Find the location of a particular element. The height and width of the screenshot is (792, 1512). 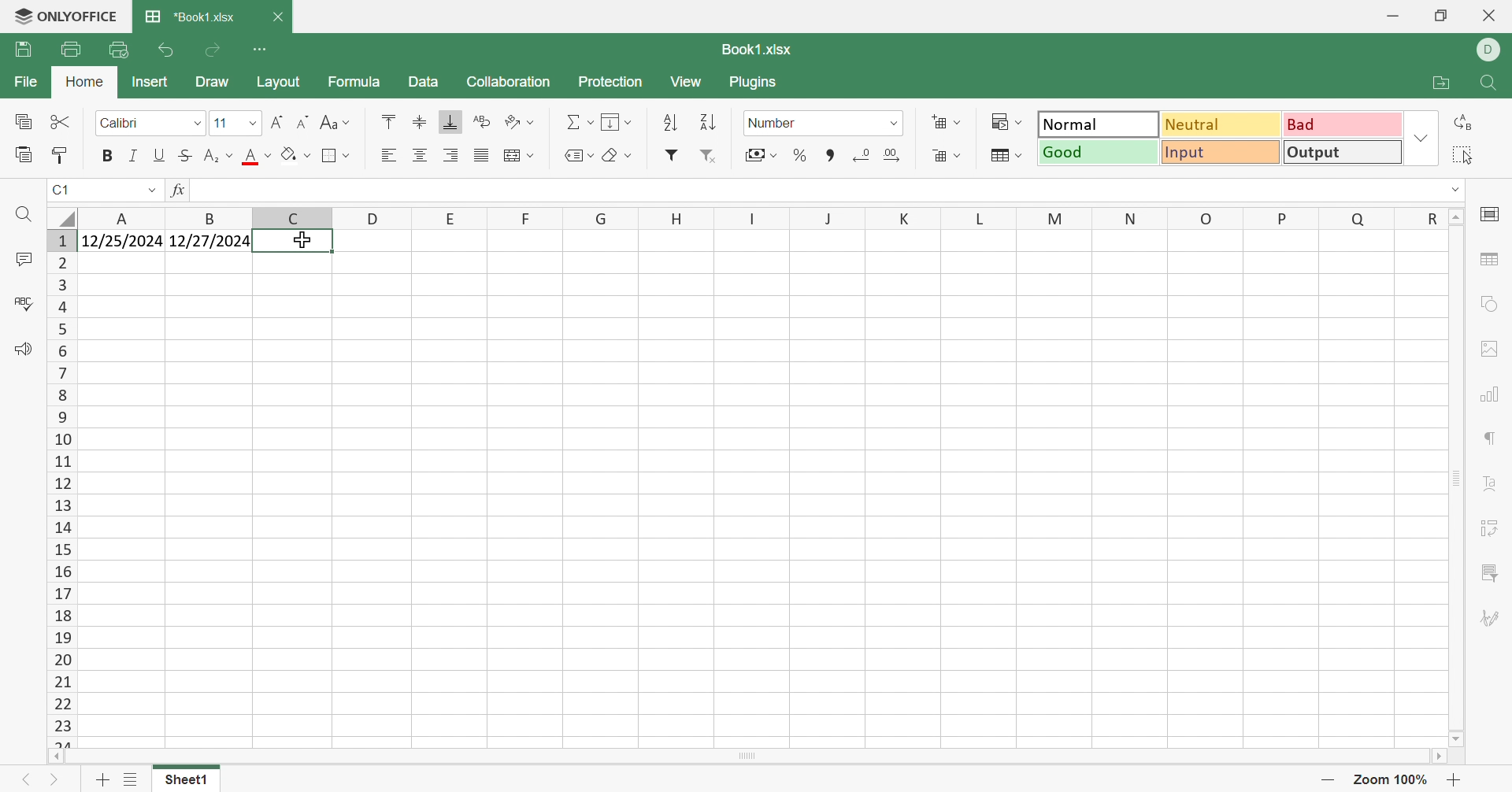

Image settings is located at coordinates (1491, 350).